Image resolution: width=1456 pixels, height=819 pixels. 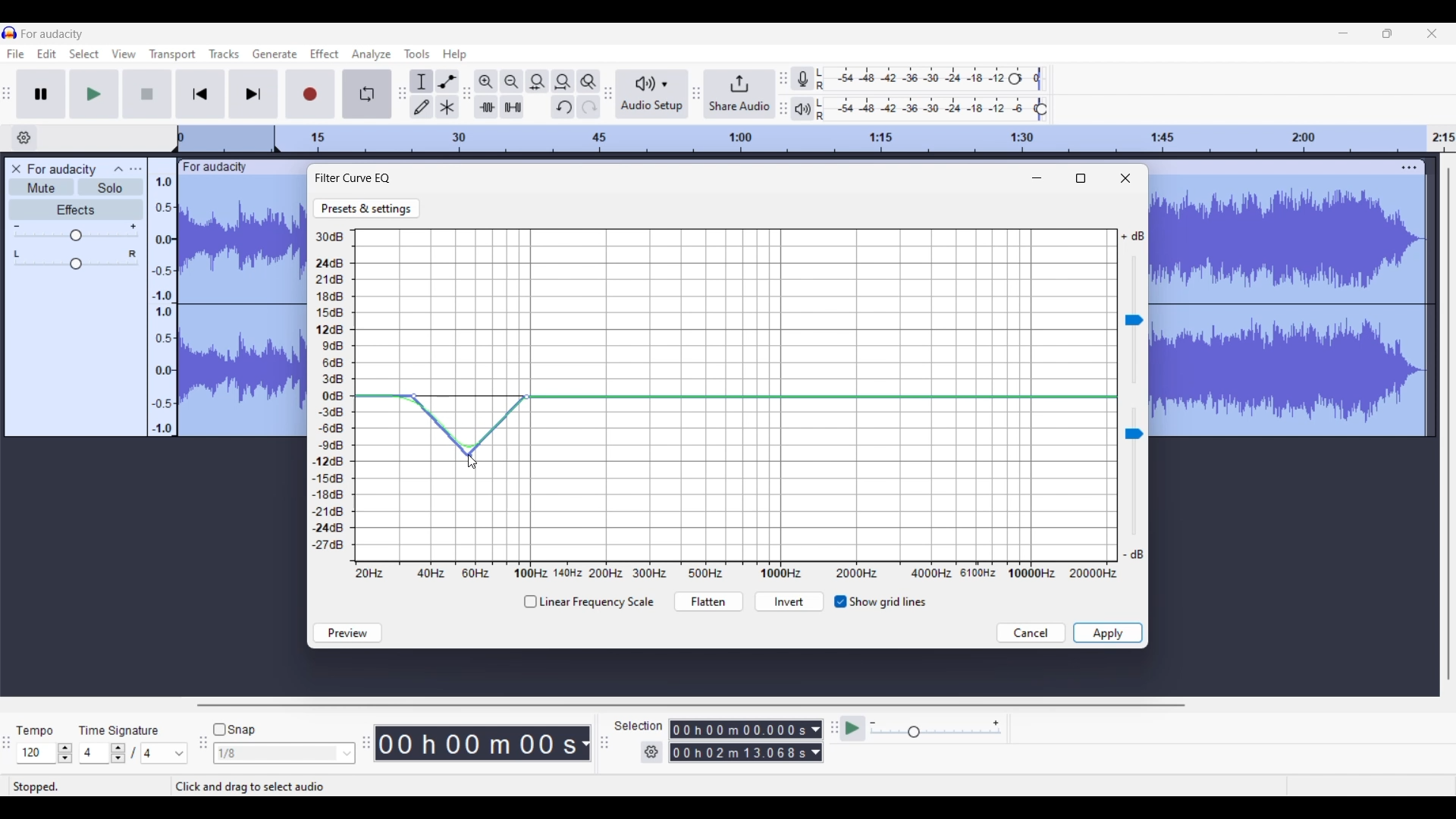 What do you see at coordinates (1037, 178) in the screenshot?
I see `Minimize` at bounding box center [1037, 178].